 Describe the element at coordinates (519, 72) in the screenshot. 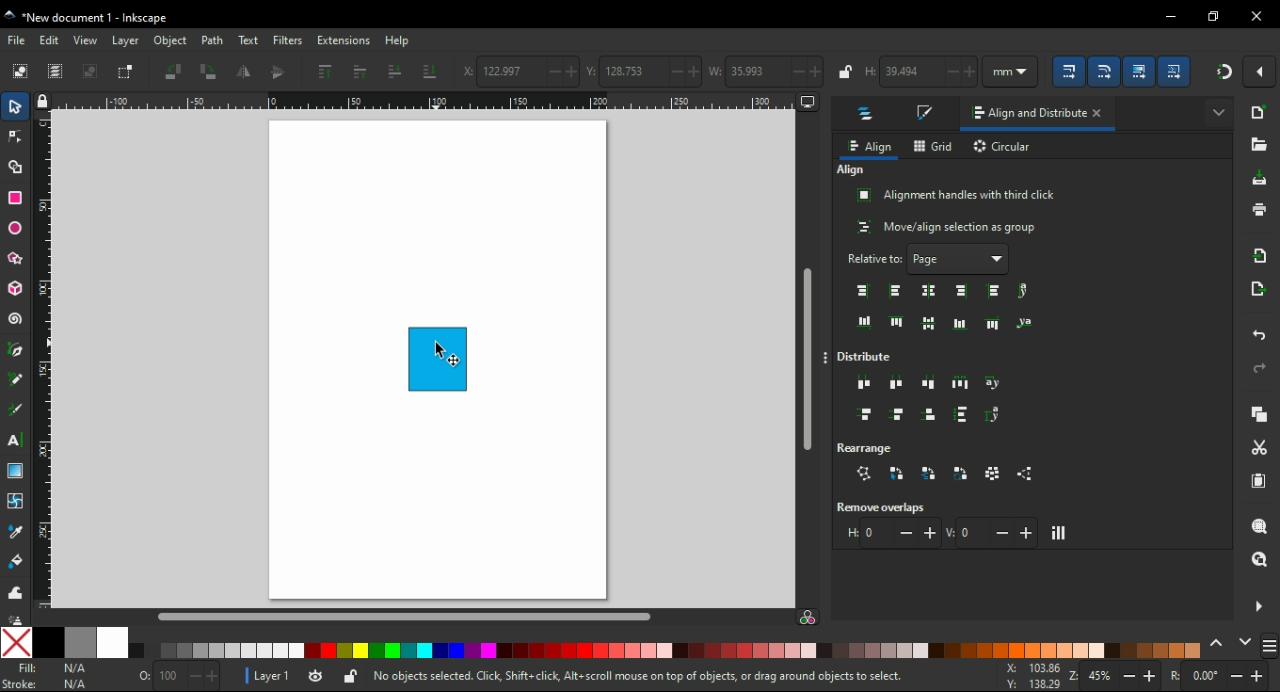

I see `horizontal coordinate of selection` at that location.